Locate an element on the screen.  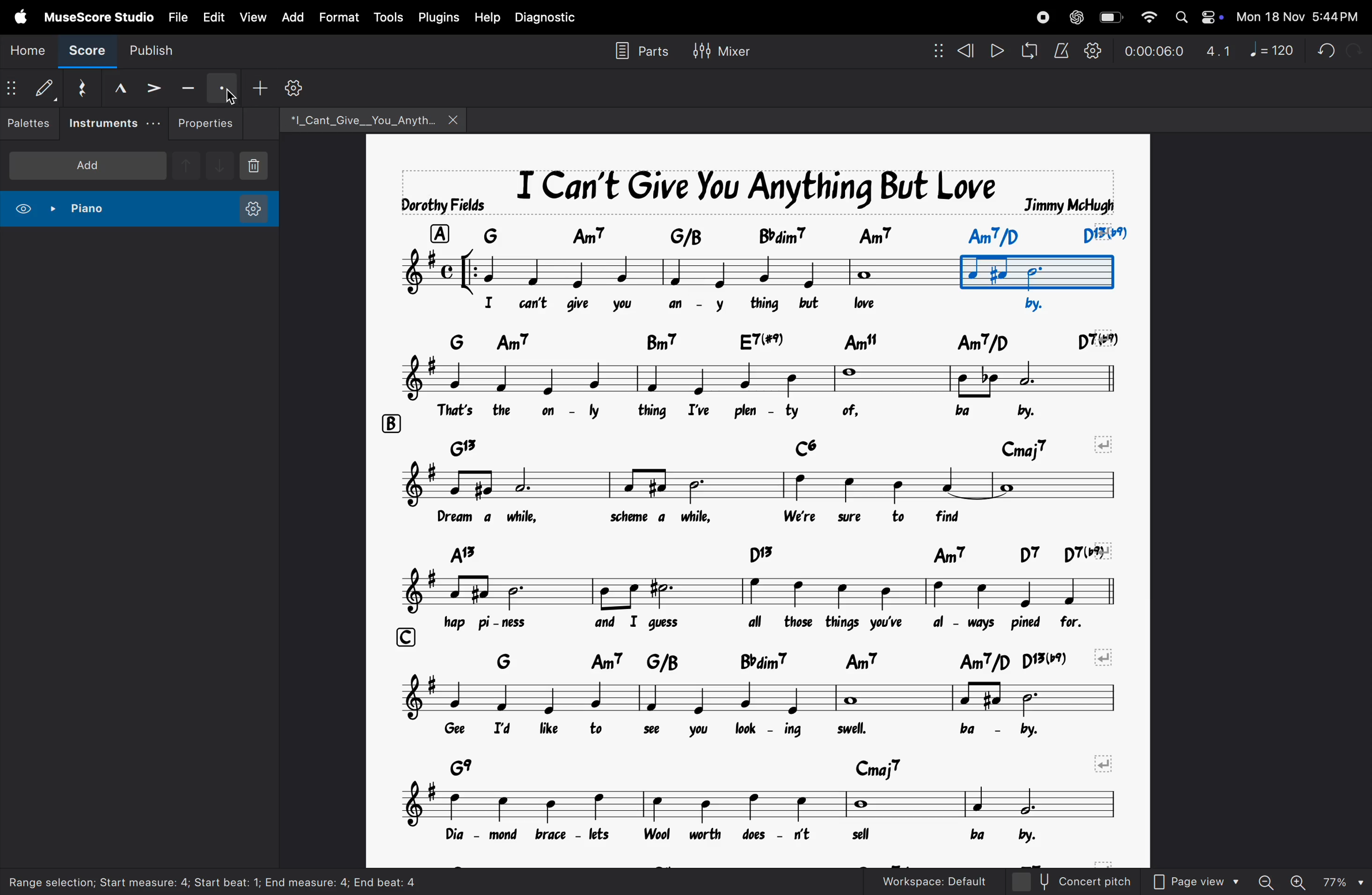
reset is located at coordinates (85, 88).